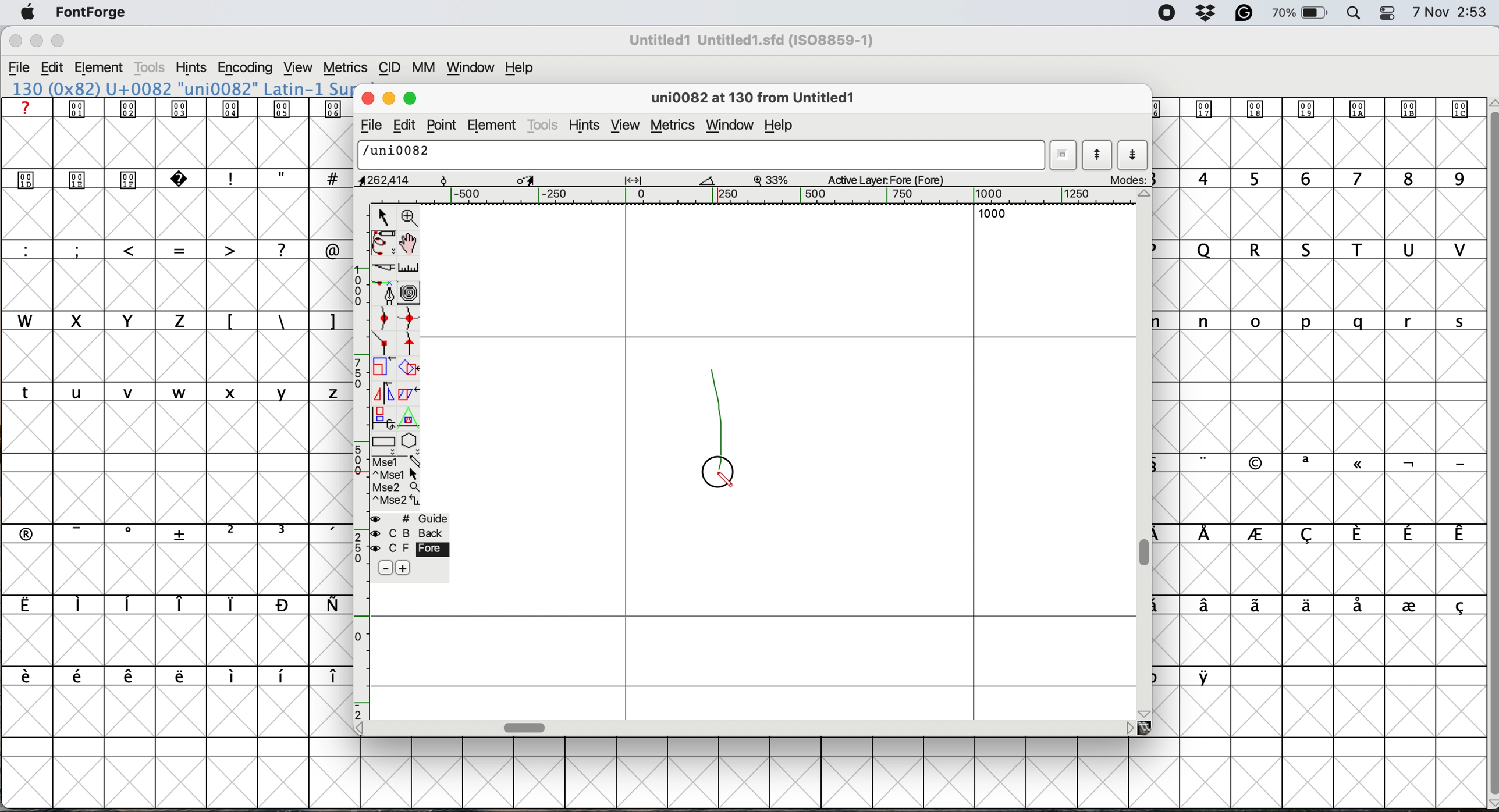 Image resolution: width=1499 pixels, height=812 pixels. Describe the element at coordinates (1129, 179) in the screenshot. I see `modes` at that location.